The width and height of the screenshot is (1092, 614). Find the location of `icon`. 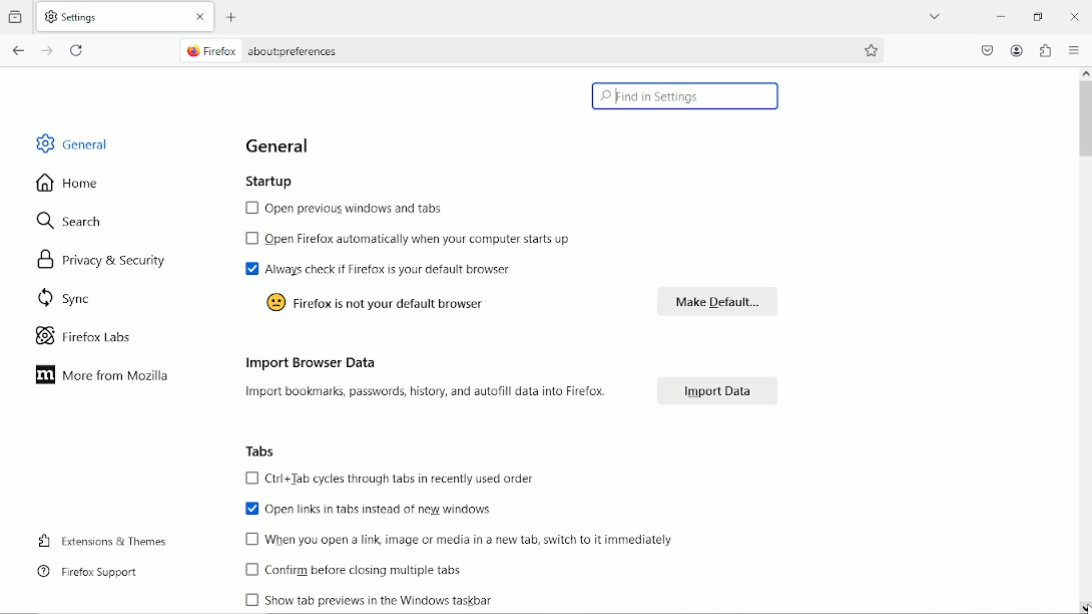

icon is located at coordinates (274, 302).